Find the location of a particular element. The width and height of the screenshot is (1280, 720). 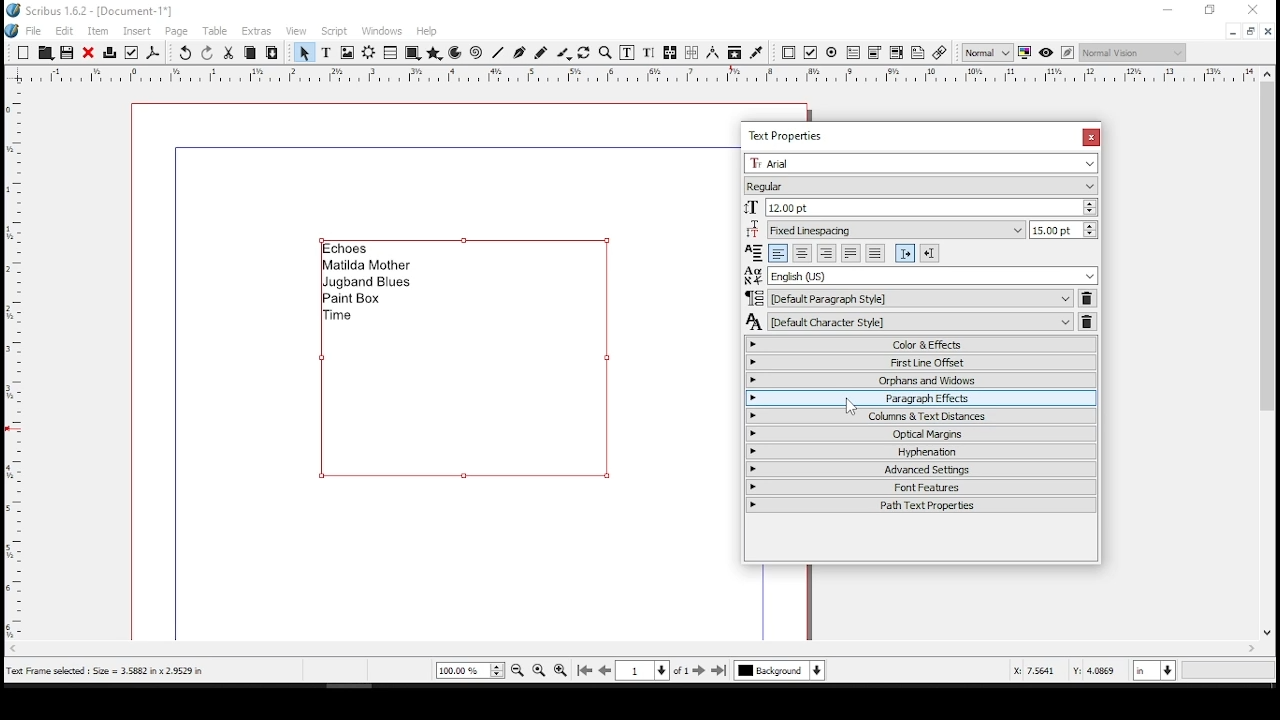

link text frames is located at coordinates (670, 54).